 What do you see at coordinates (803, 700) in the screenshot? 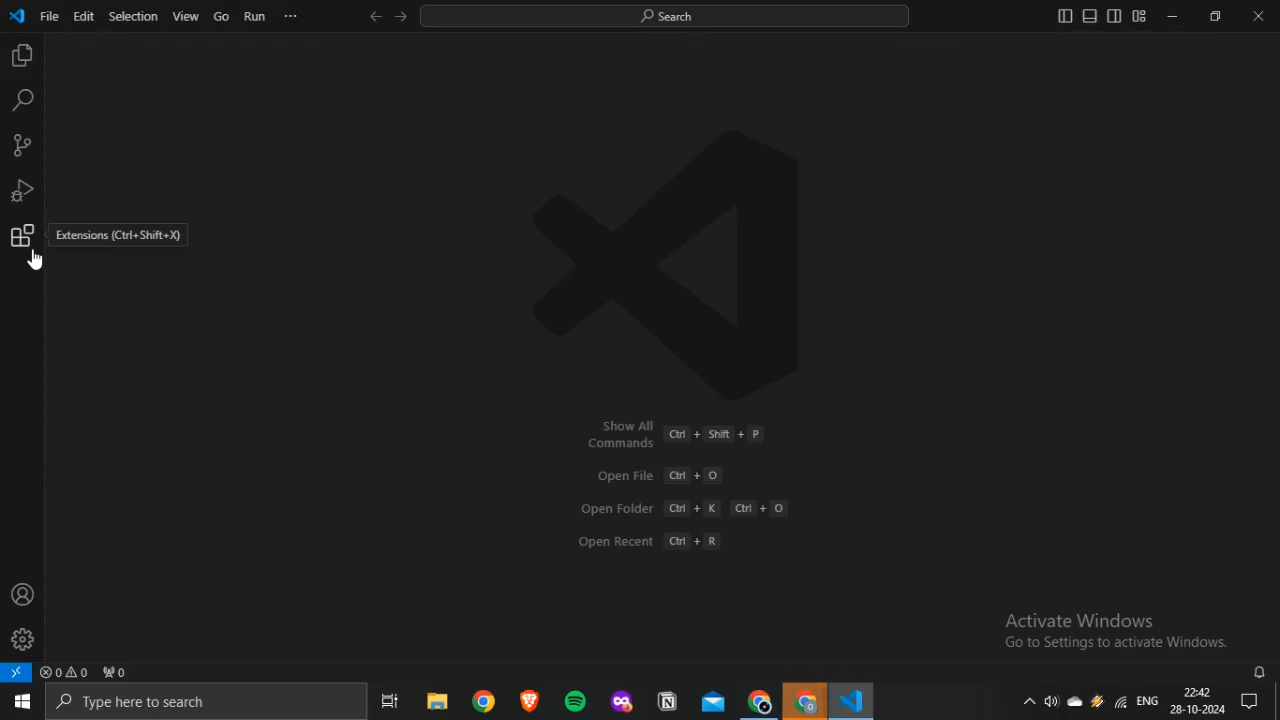
I see `Google Chrome` at bounding box center [803, 700].